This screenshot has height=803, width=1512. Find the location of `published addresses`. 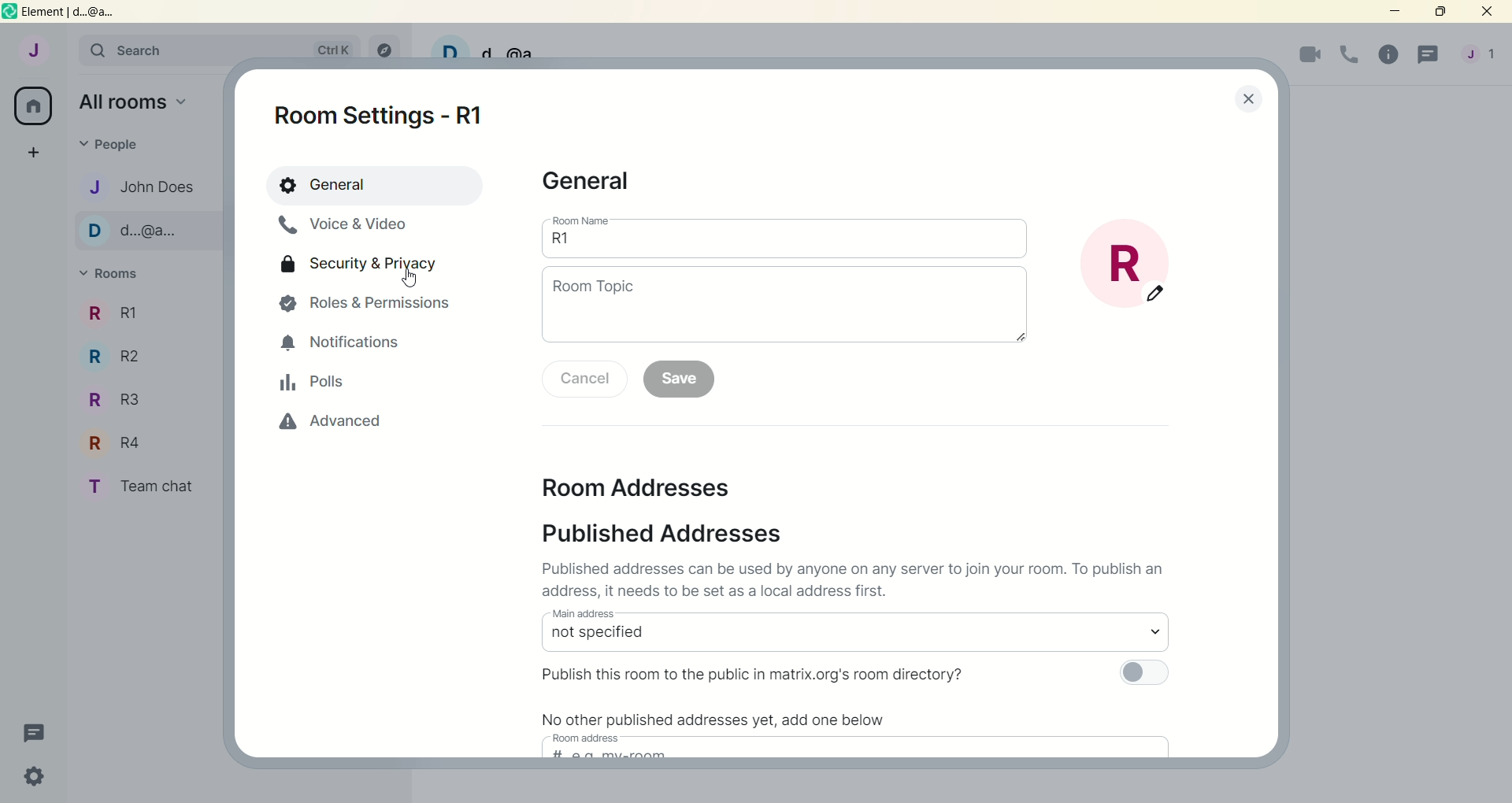

published addresses is located at coordinates (669, 534).